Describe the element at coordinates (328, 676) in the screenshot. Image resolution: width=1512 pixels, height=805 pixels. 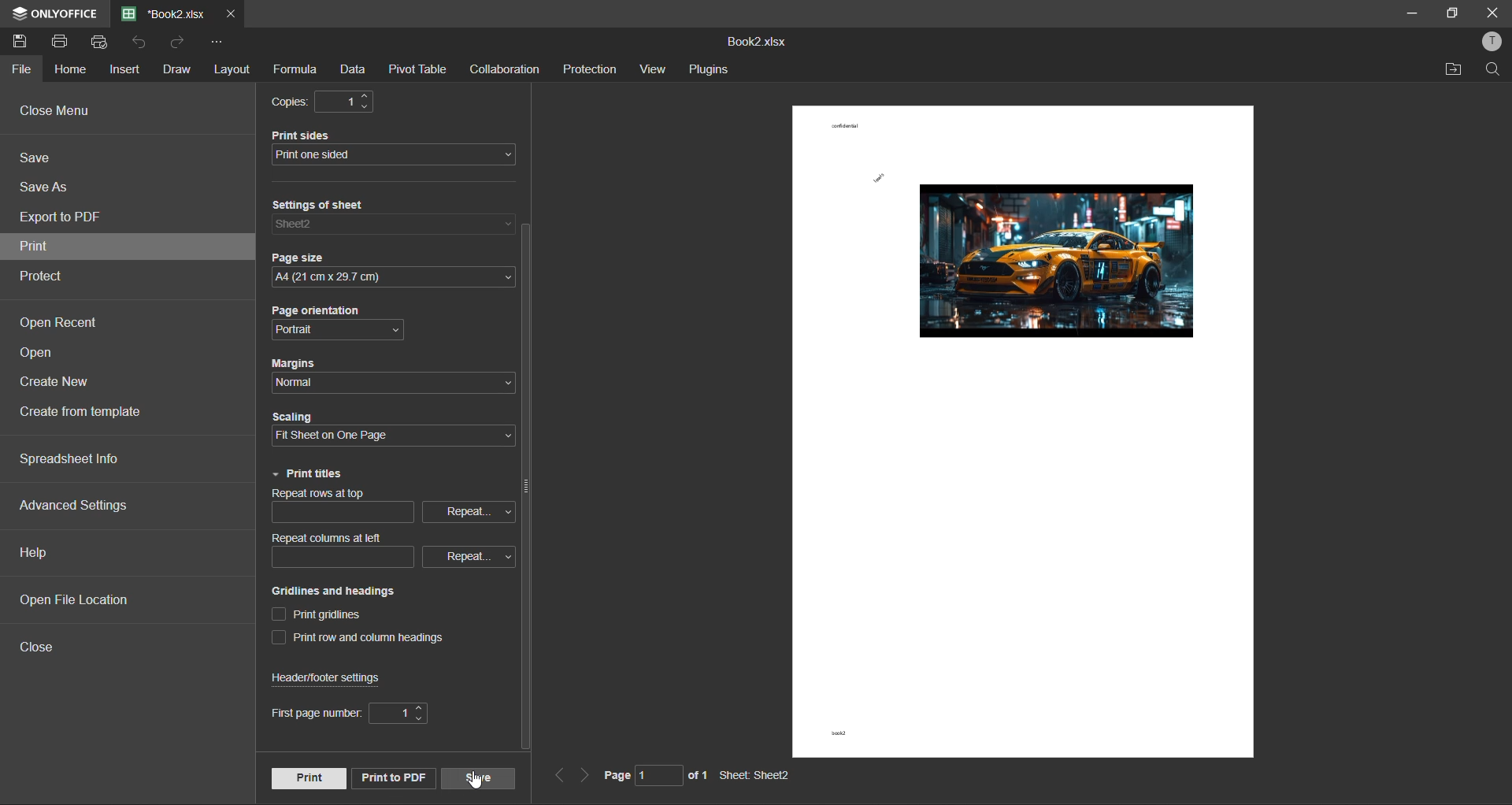
I see `header/footer settings` at that location.